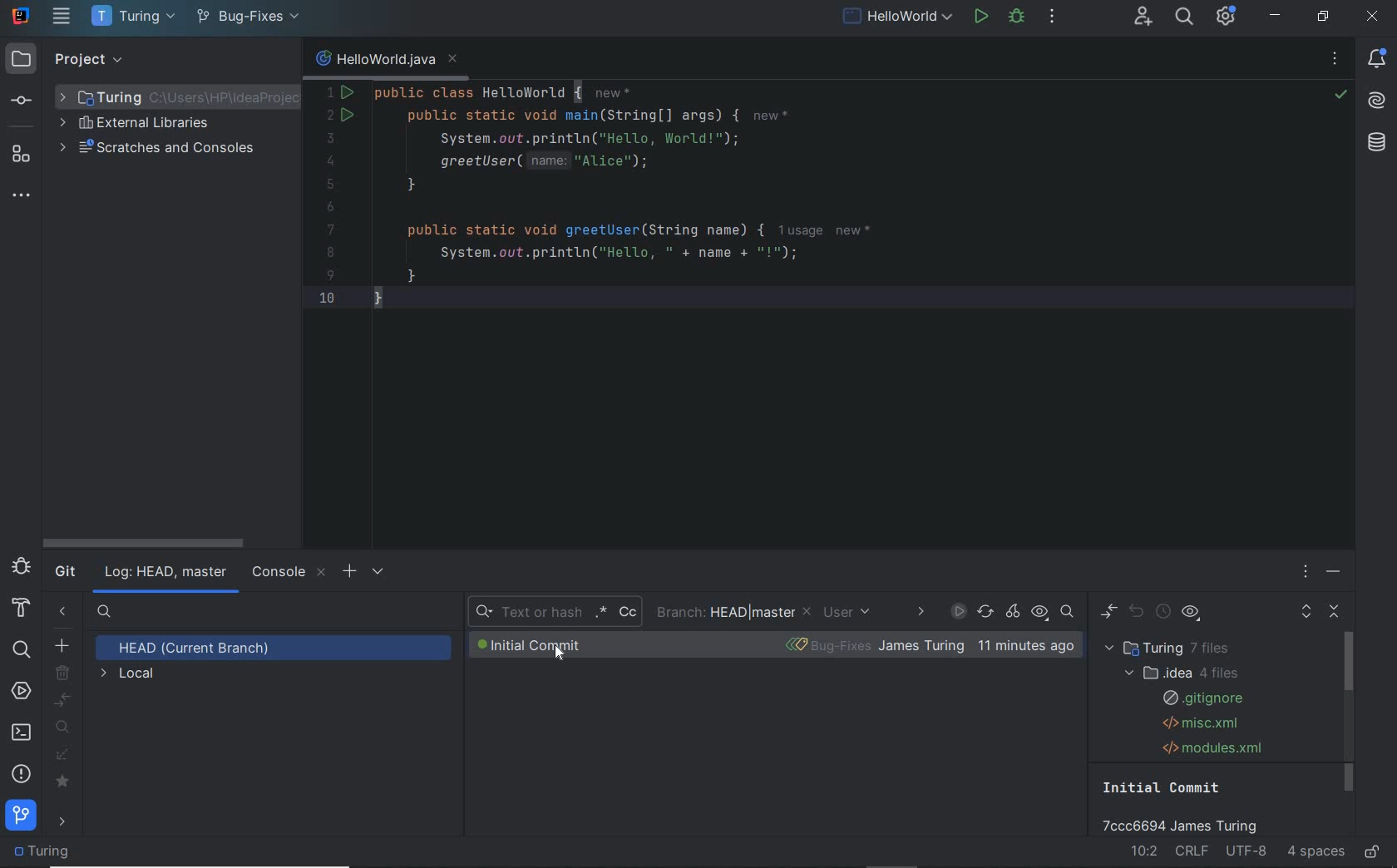 The image size is (1397, 868). Describe the element at coordinates (1336, 613) in the screenshot. I see `collapse all` at that location.